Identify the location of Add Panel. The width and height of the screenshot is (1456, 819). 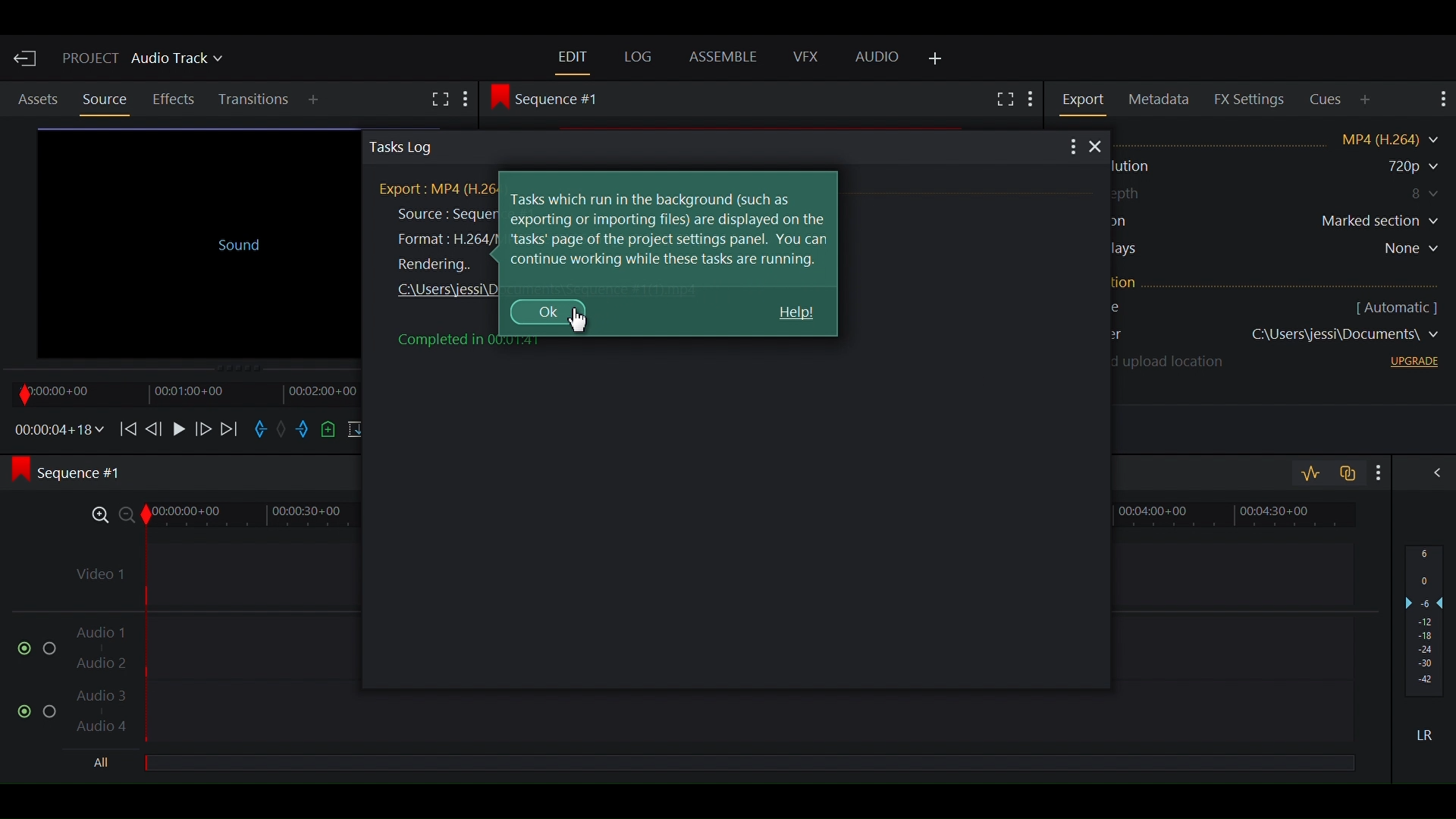
(936, 60).